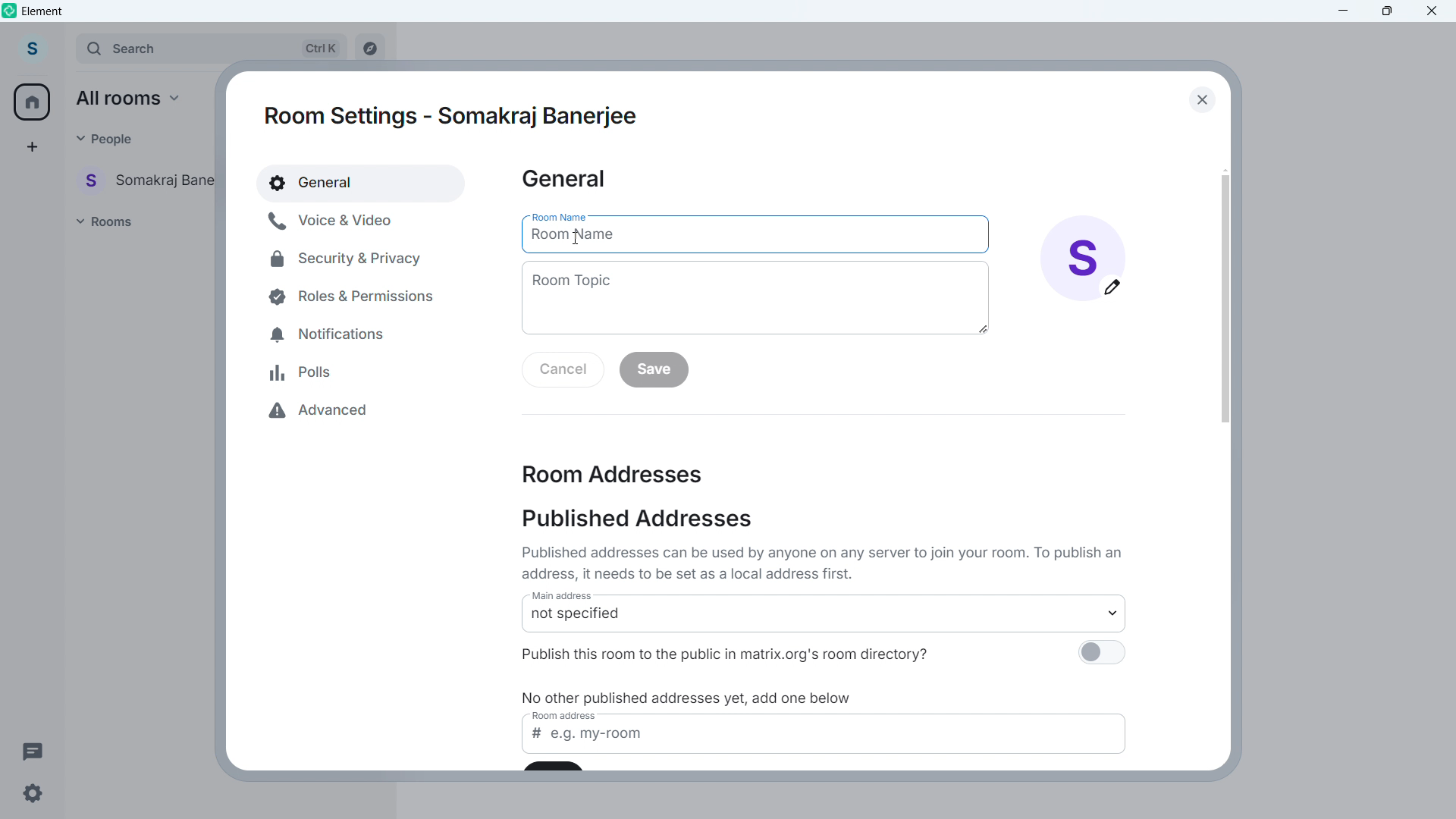 The width and height of the screenshot is (1456, 819). What do you see at coordinates (133, 98) in the screenshot?
I see `all rooms` at bounding box center [133, 98].